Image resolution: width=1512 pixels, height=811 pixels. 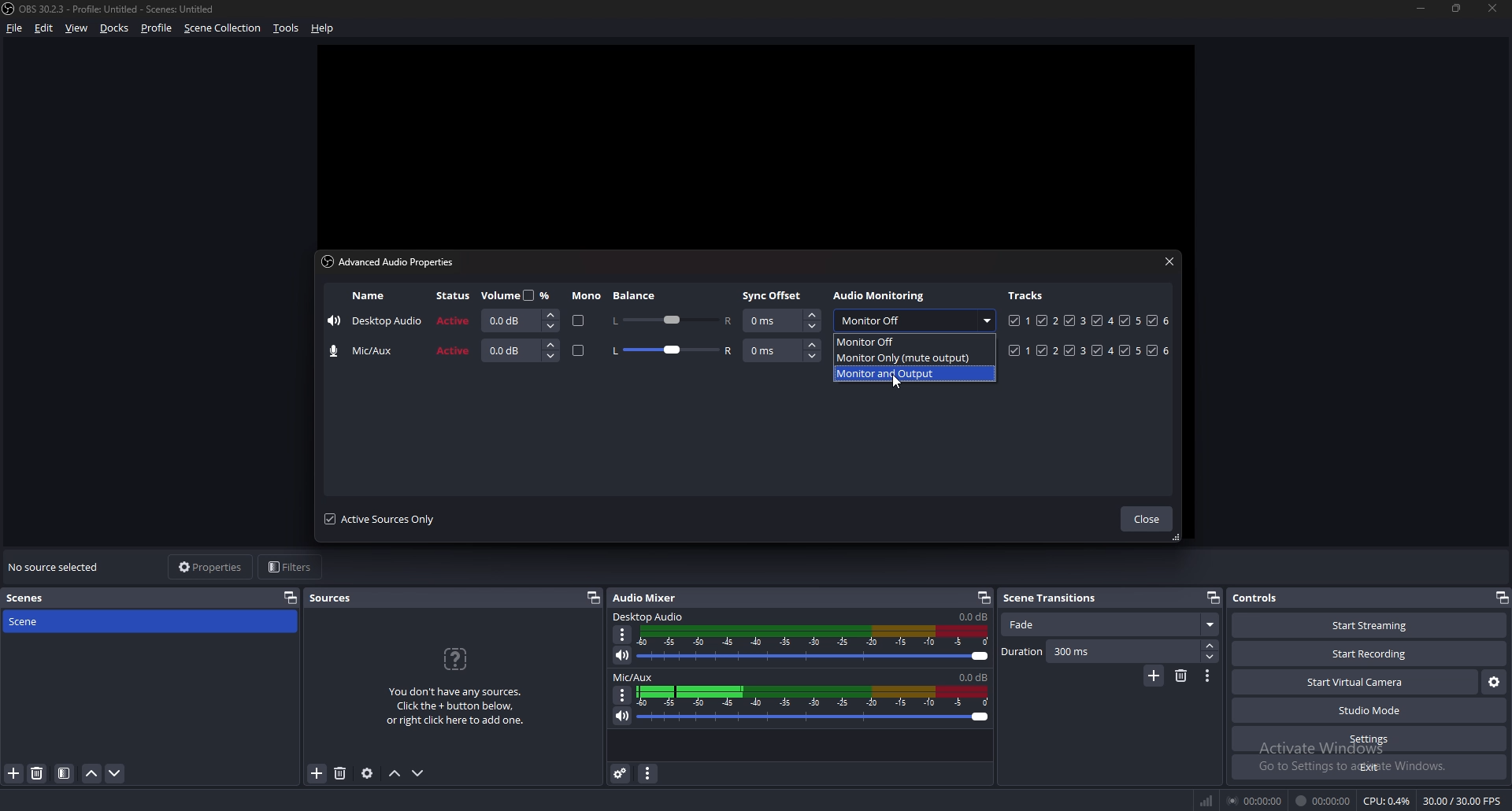 I want to click on active, so click(x=455, y=320).